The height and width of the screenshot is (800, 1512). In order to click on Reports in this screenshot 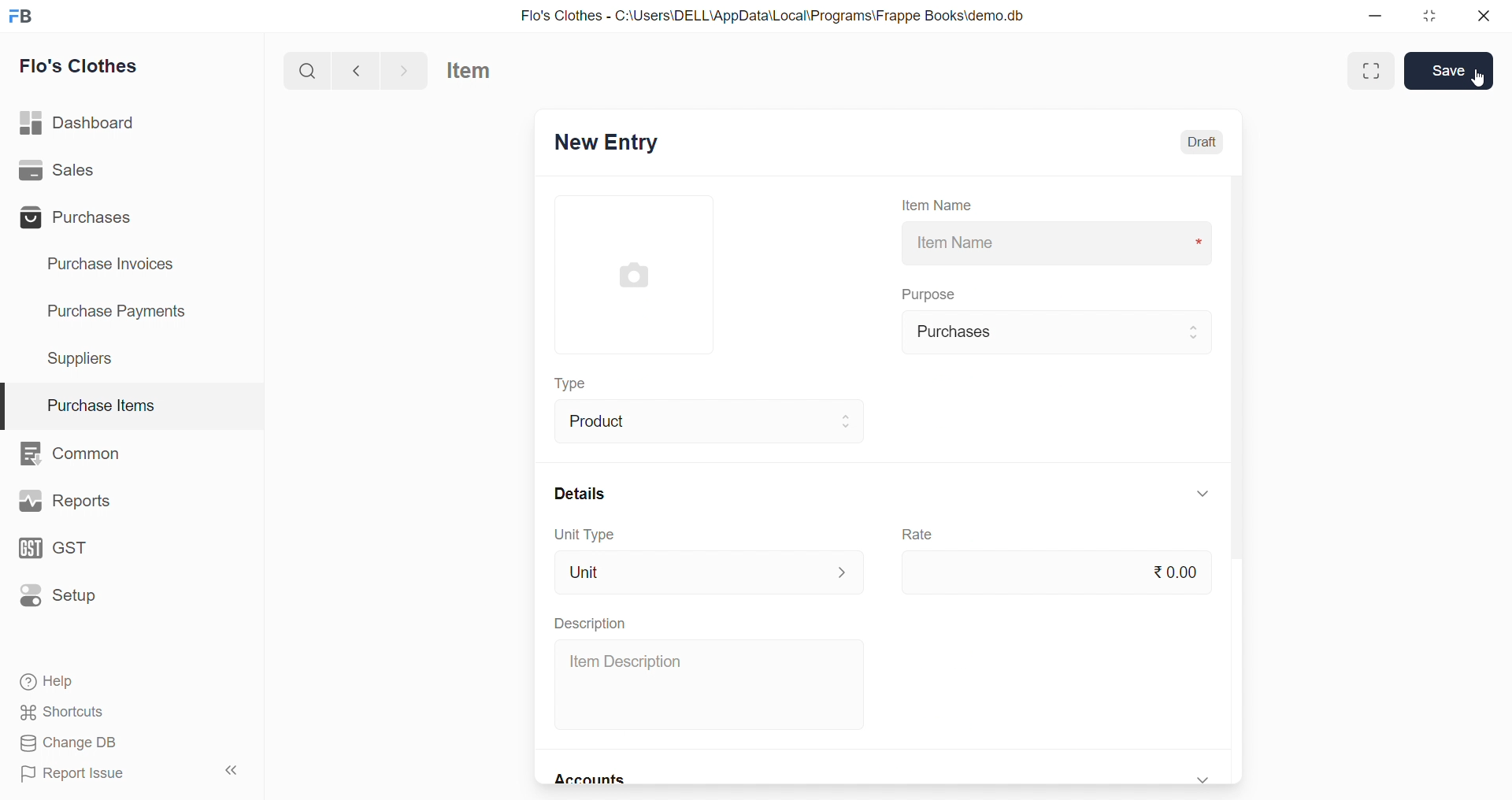, I will do `click(66, 501)`.